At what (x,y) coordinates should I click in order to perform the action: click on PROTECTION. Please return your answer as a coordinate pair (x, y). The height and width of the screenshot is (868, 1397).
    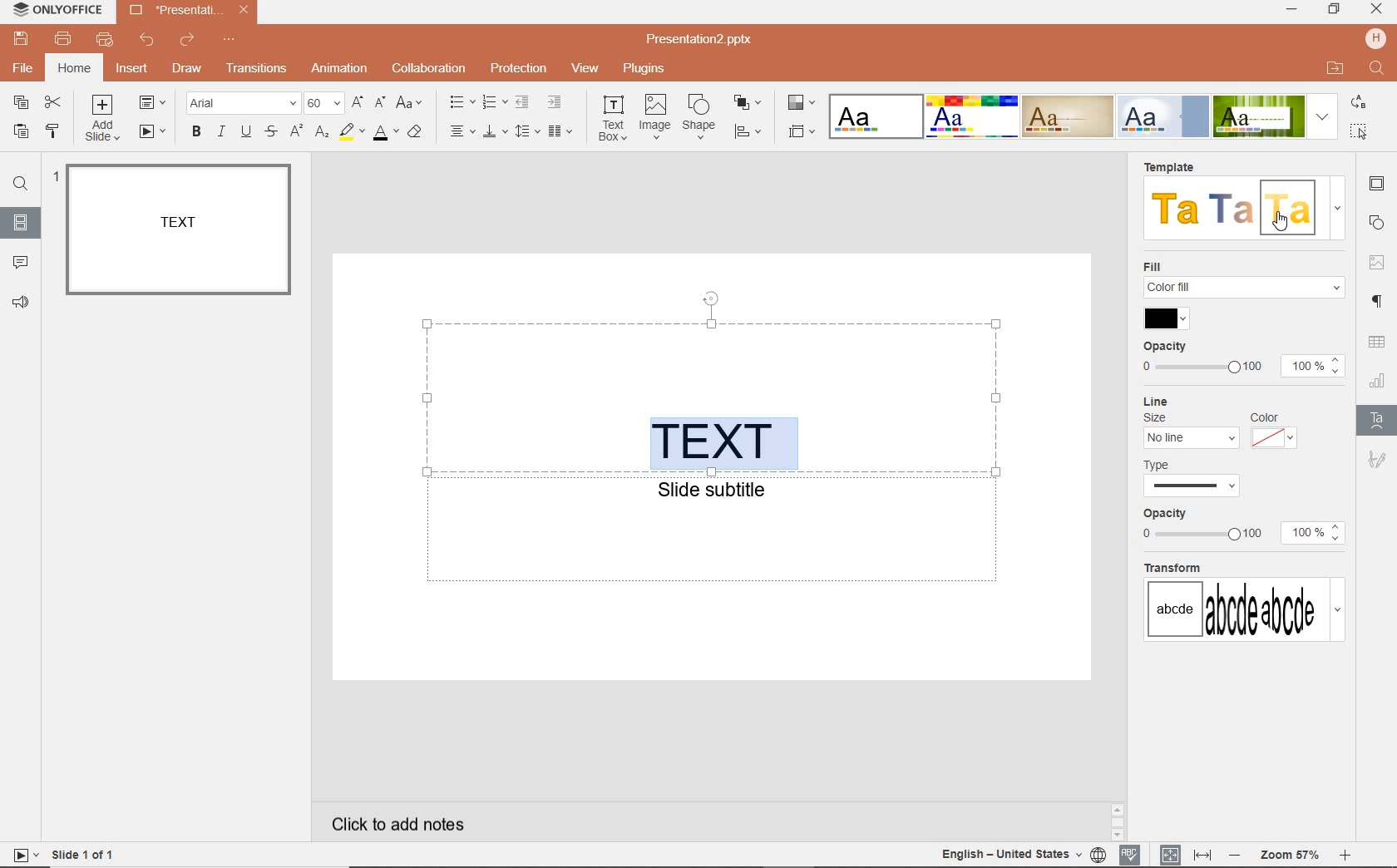
    Looking at the image, I should click on (517, 68).